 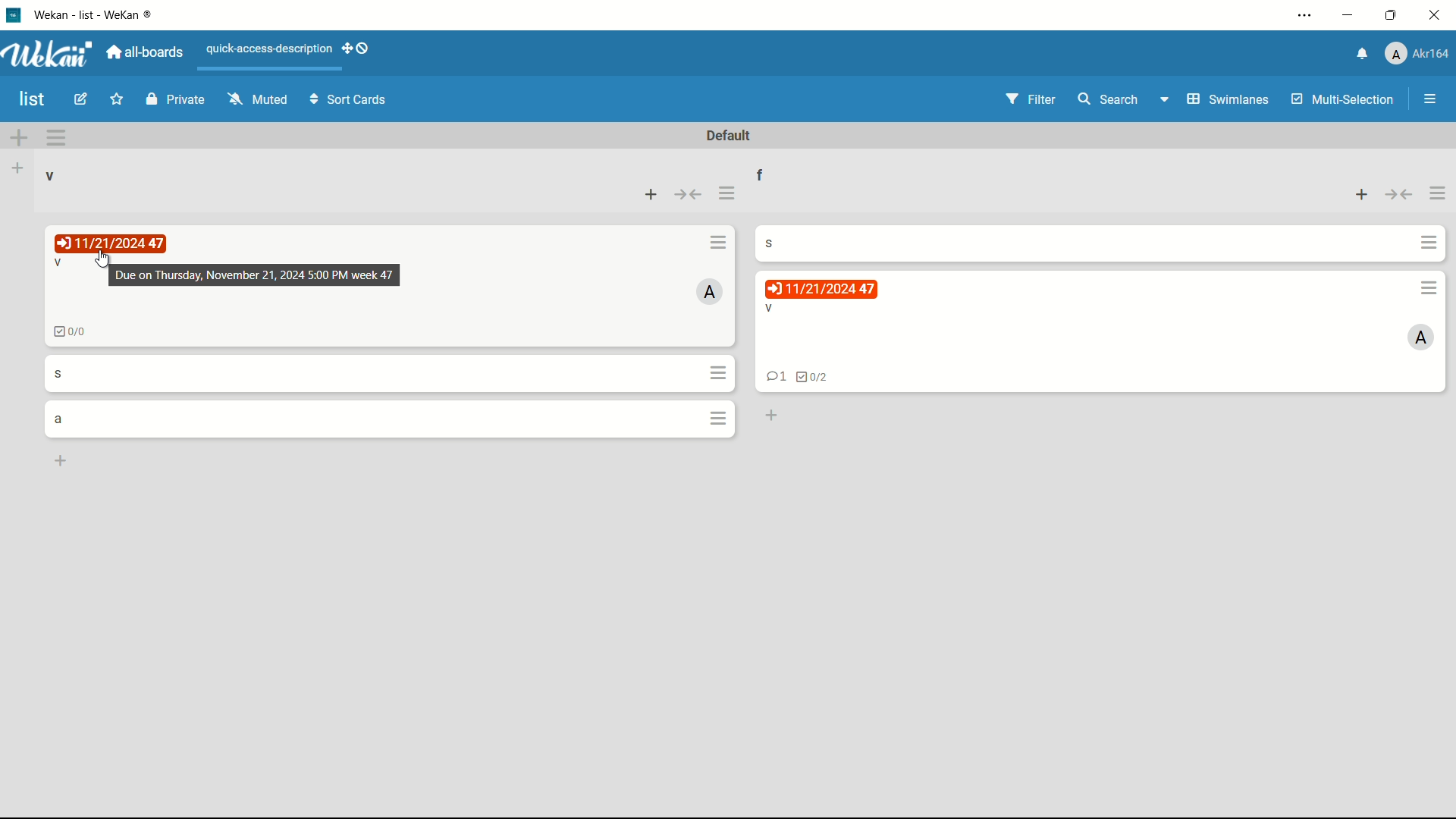 I want to click on card name, so click(x=777, y=242).